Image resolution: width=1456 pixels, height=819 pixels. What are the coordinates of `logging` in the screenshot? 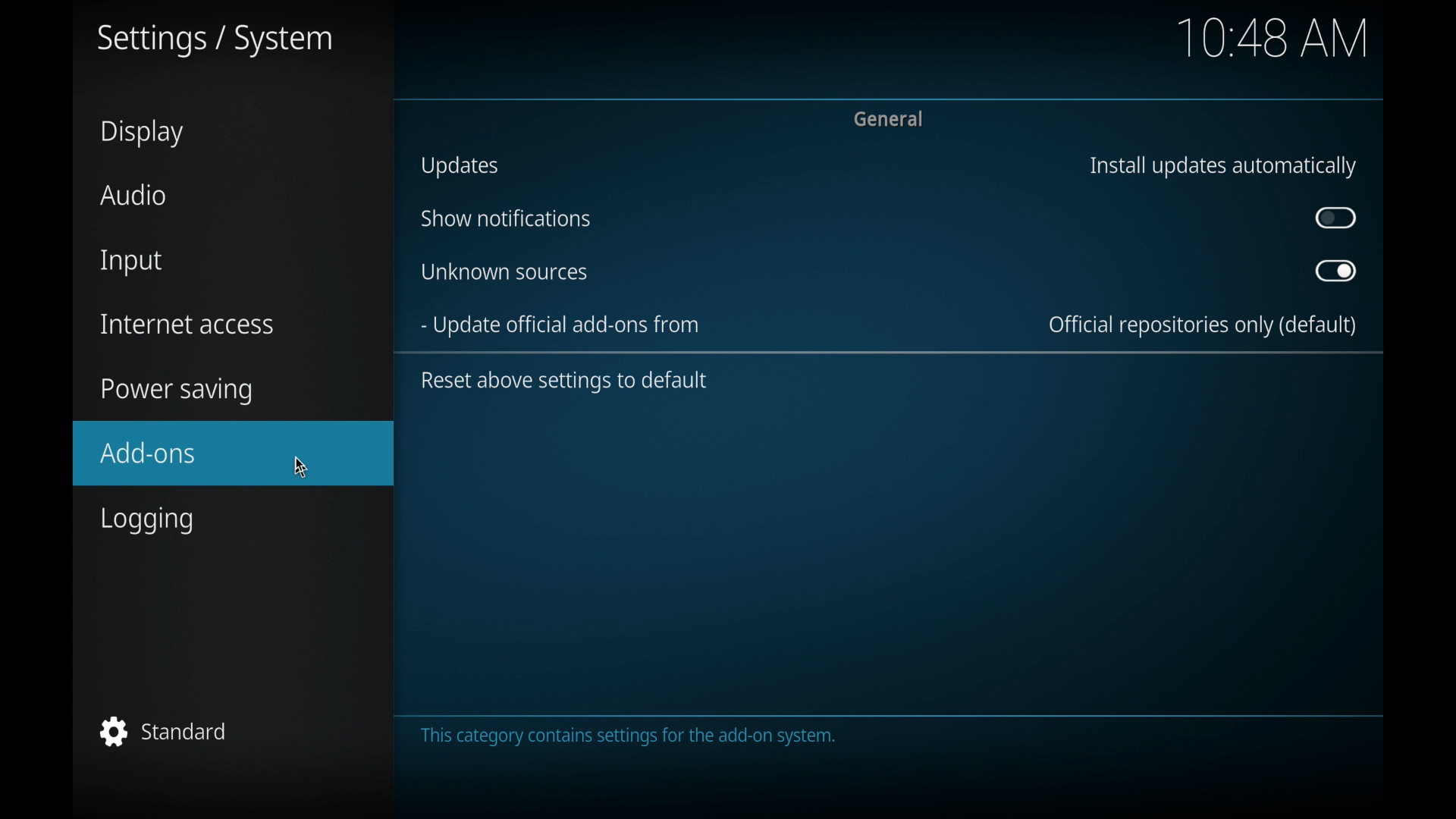 It's located at (146, 520).